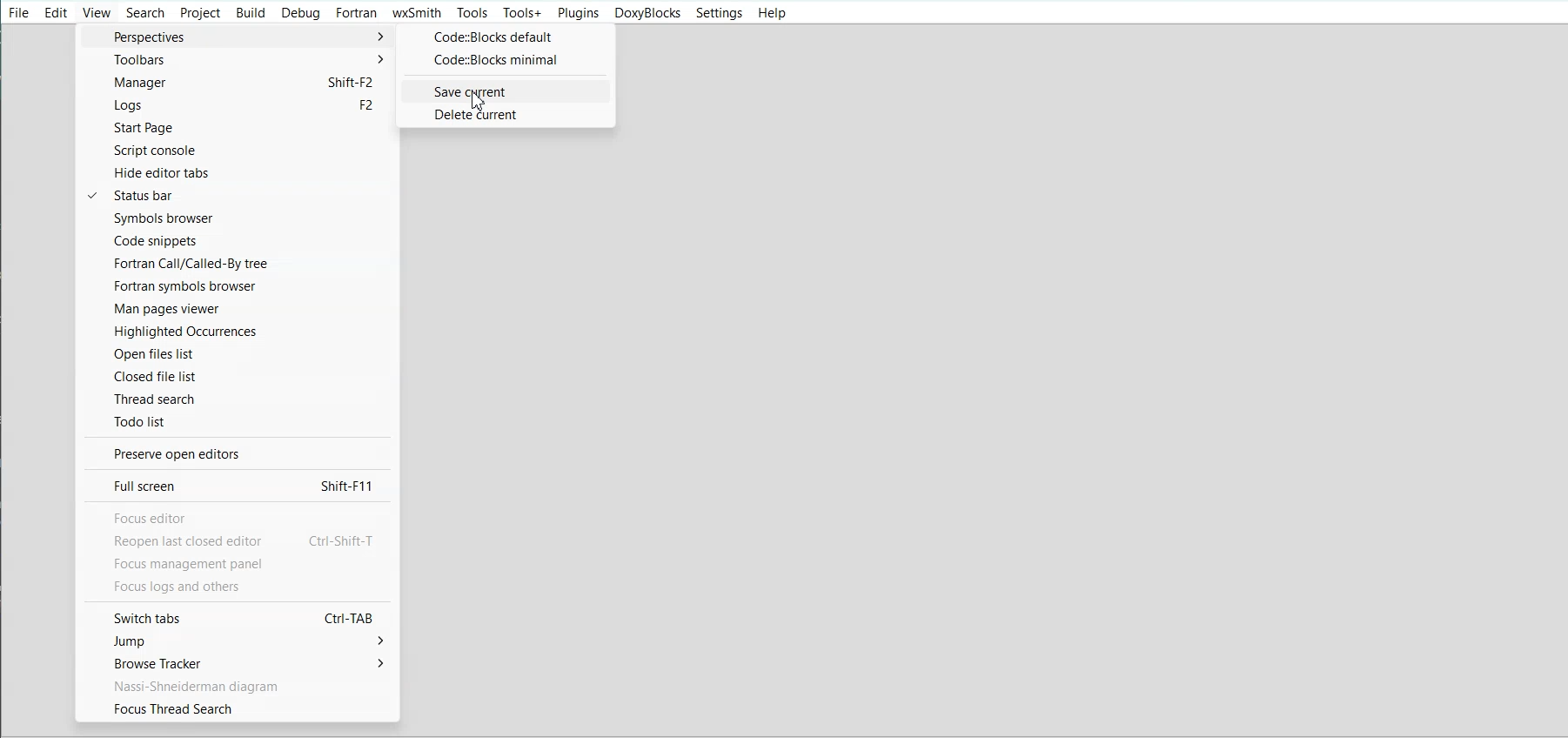  Describe the element at coordinates (239, 240) in the screenshot. I see `Code snippets` at that location.